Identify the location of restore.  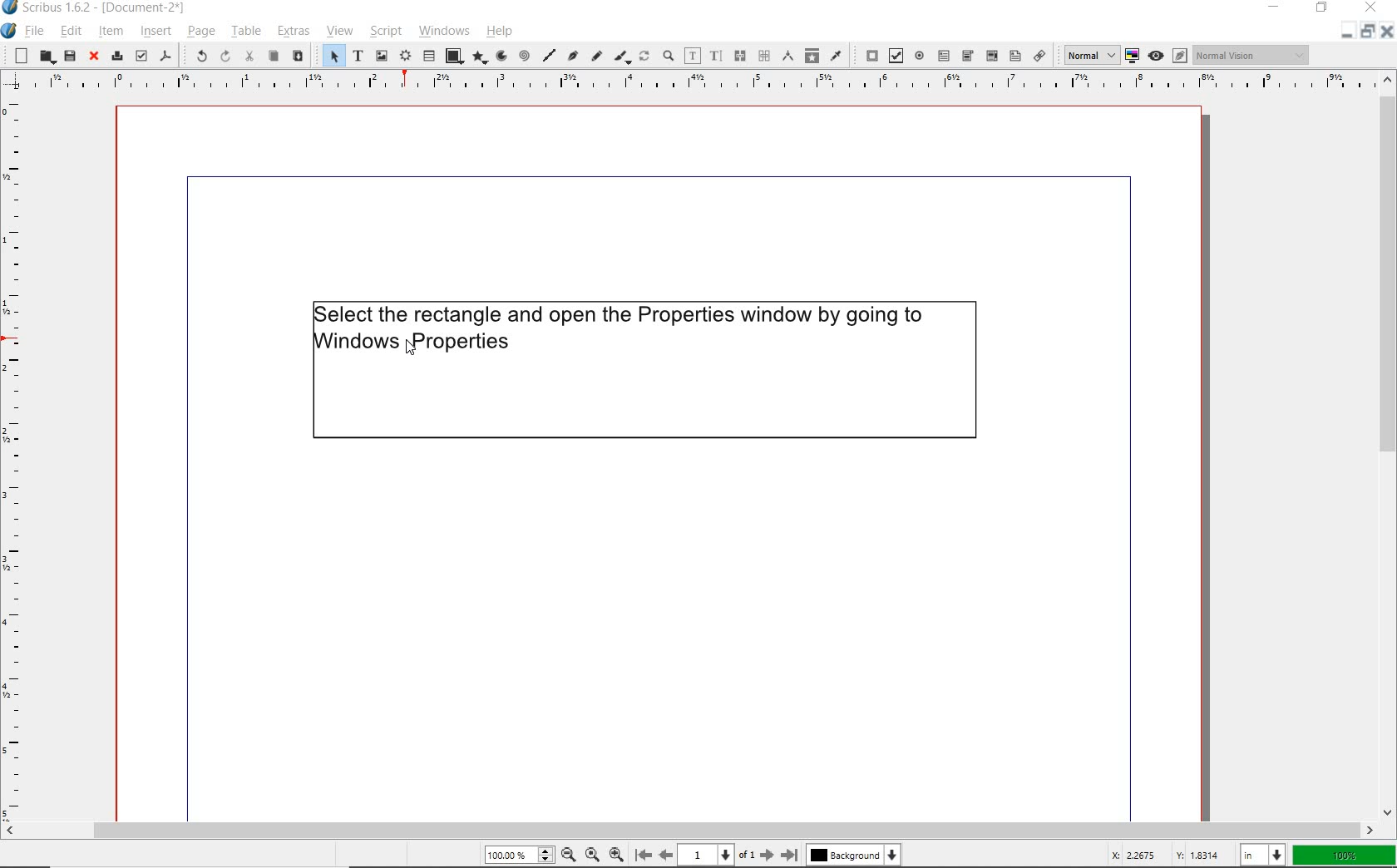
(1366, 34).